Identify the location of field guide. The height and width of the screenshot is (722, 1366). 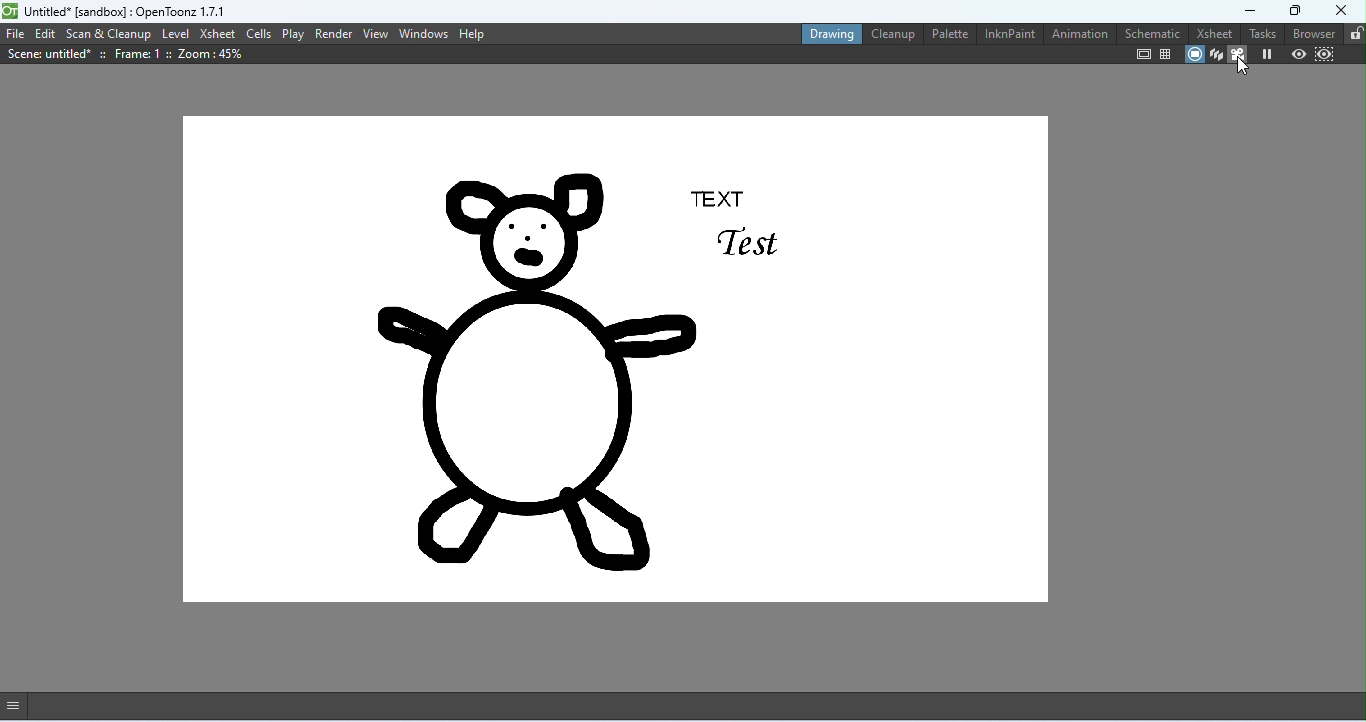
(1166, 54).